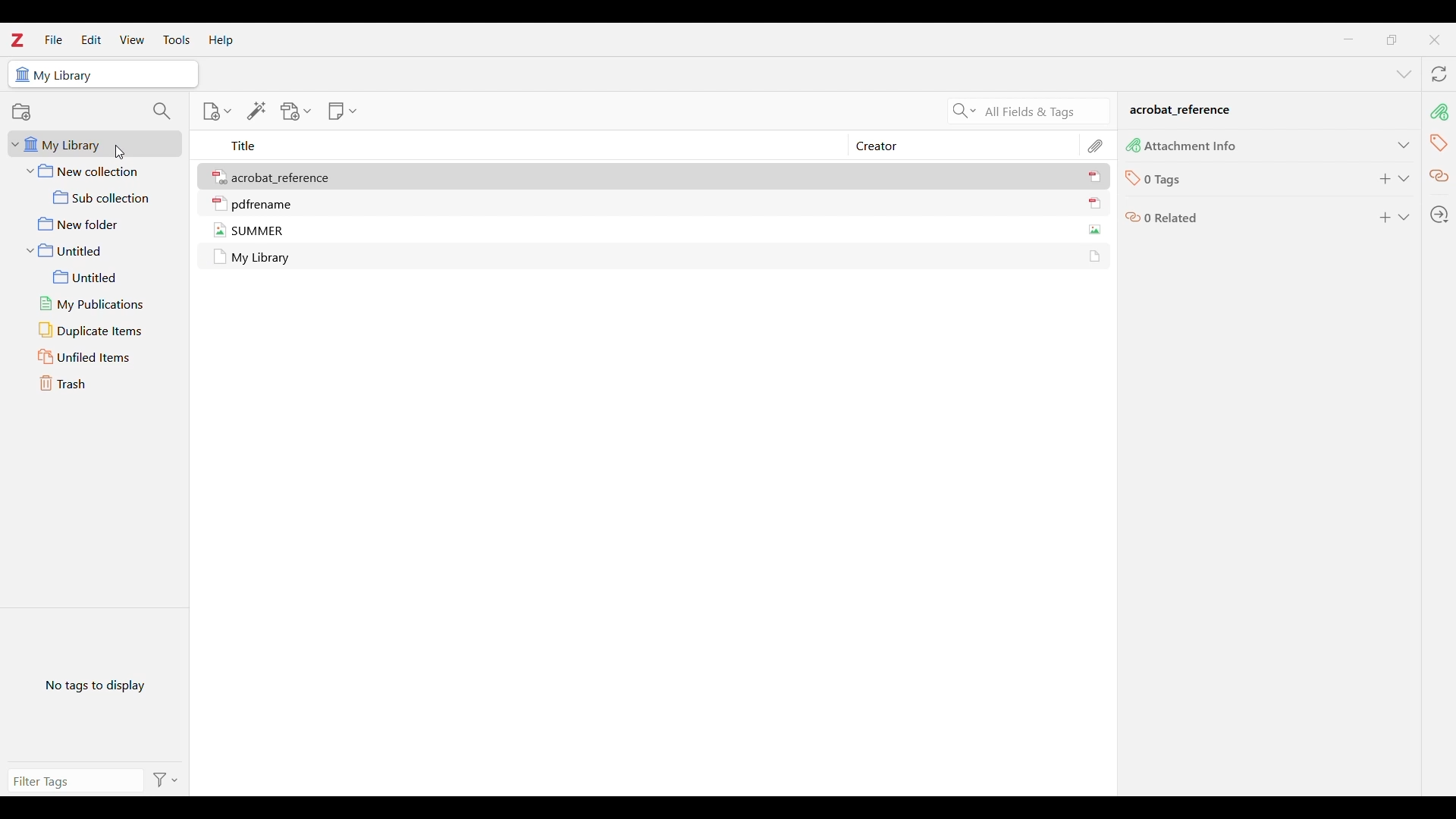 The height and width of the screenshot is (819, 1456). I want to click on Title column, so click(244, 145).